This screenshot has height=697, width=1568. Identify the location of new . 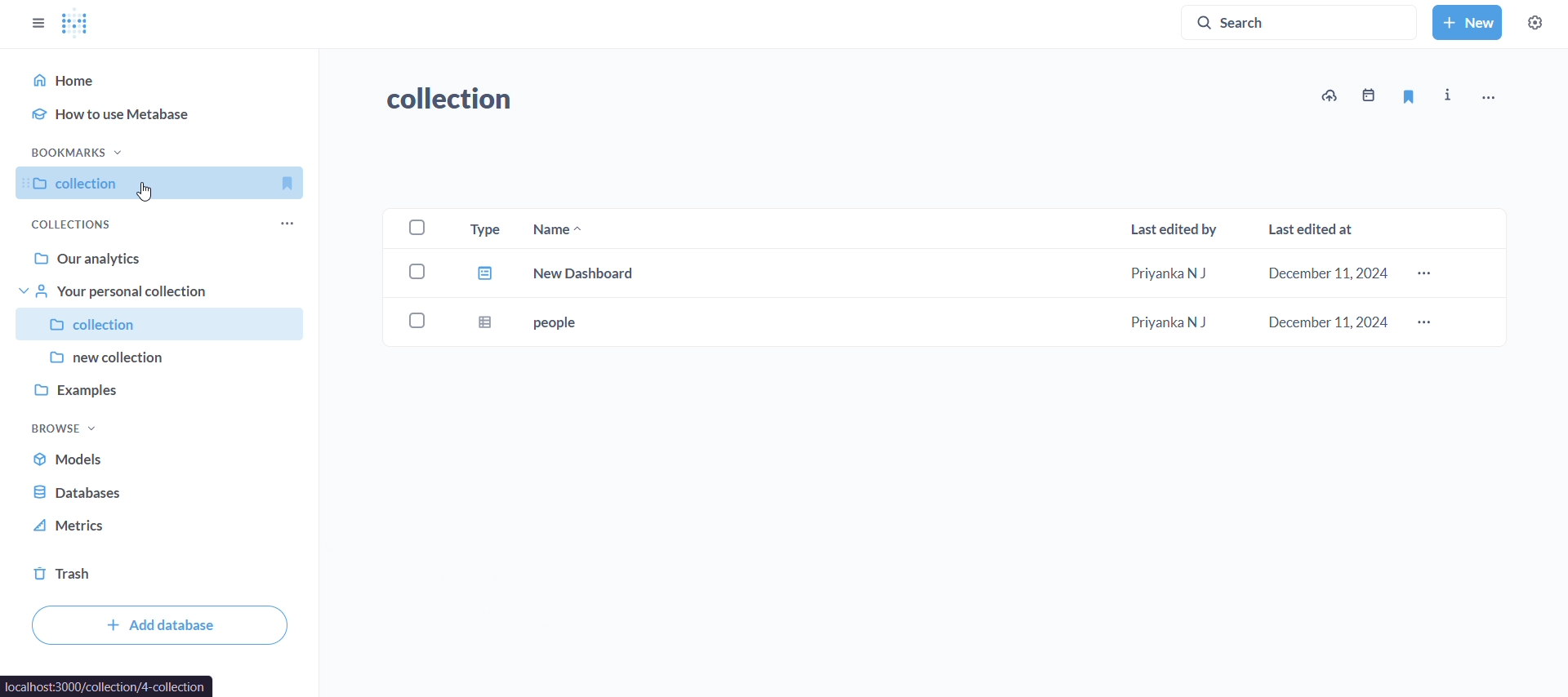
(1467, 23).